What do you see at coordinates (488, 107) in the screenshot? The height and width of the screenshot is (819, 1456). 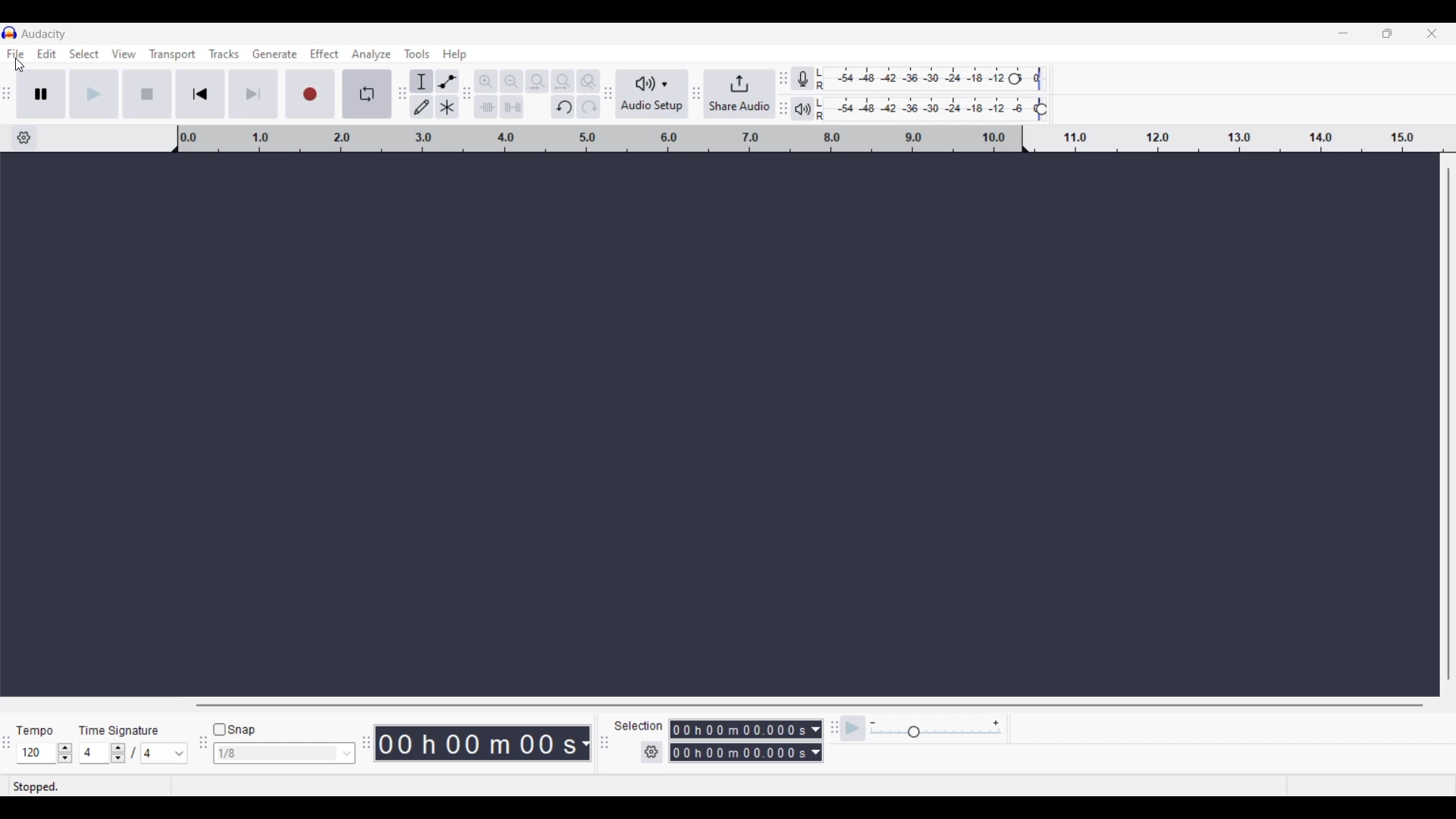 I see `Trim audio outside selection` at bounding box center [488, 107].